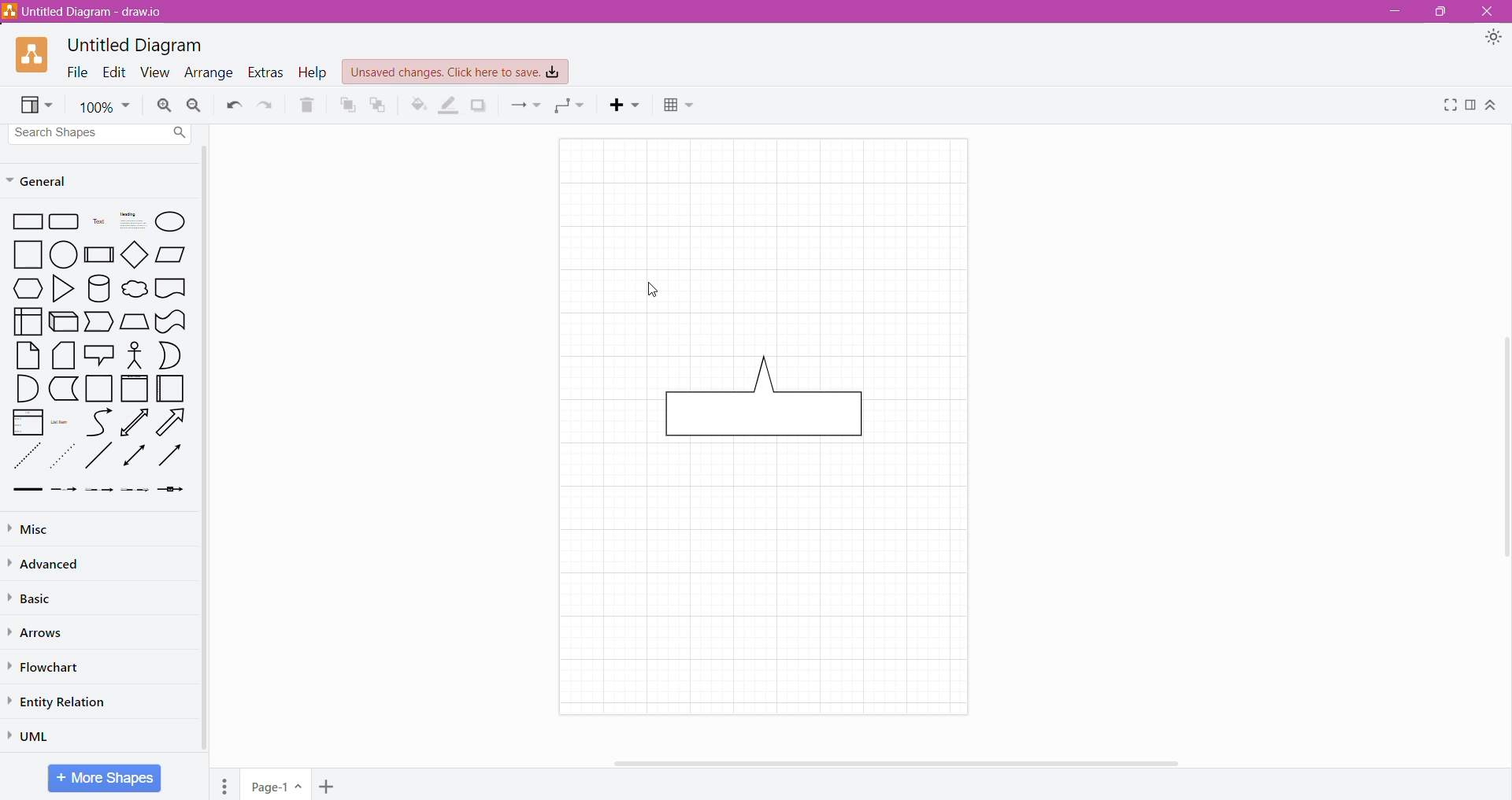 The width and height of the screenshot is (1512, 800). What do you see at coordinates (100, 322) in the screenshot?
I see `Trapezoid ` at bounding box center [100, 322].